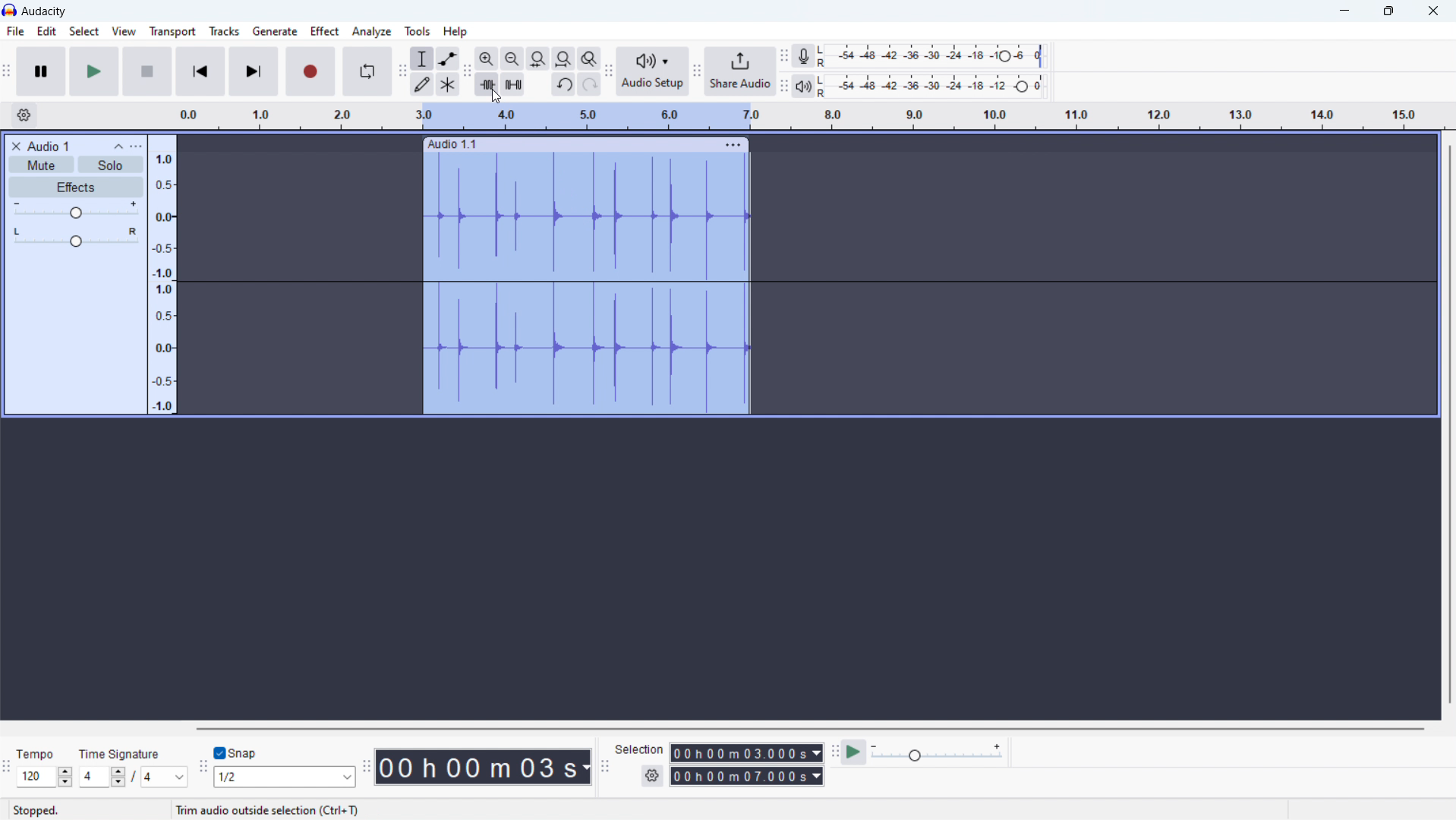 The image size is (1456, 820). Describe the element at coordinates (203, 767) in the screenshot. I see `snapping toolbar` at that location.